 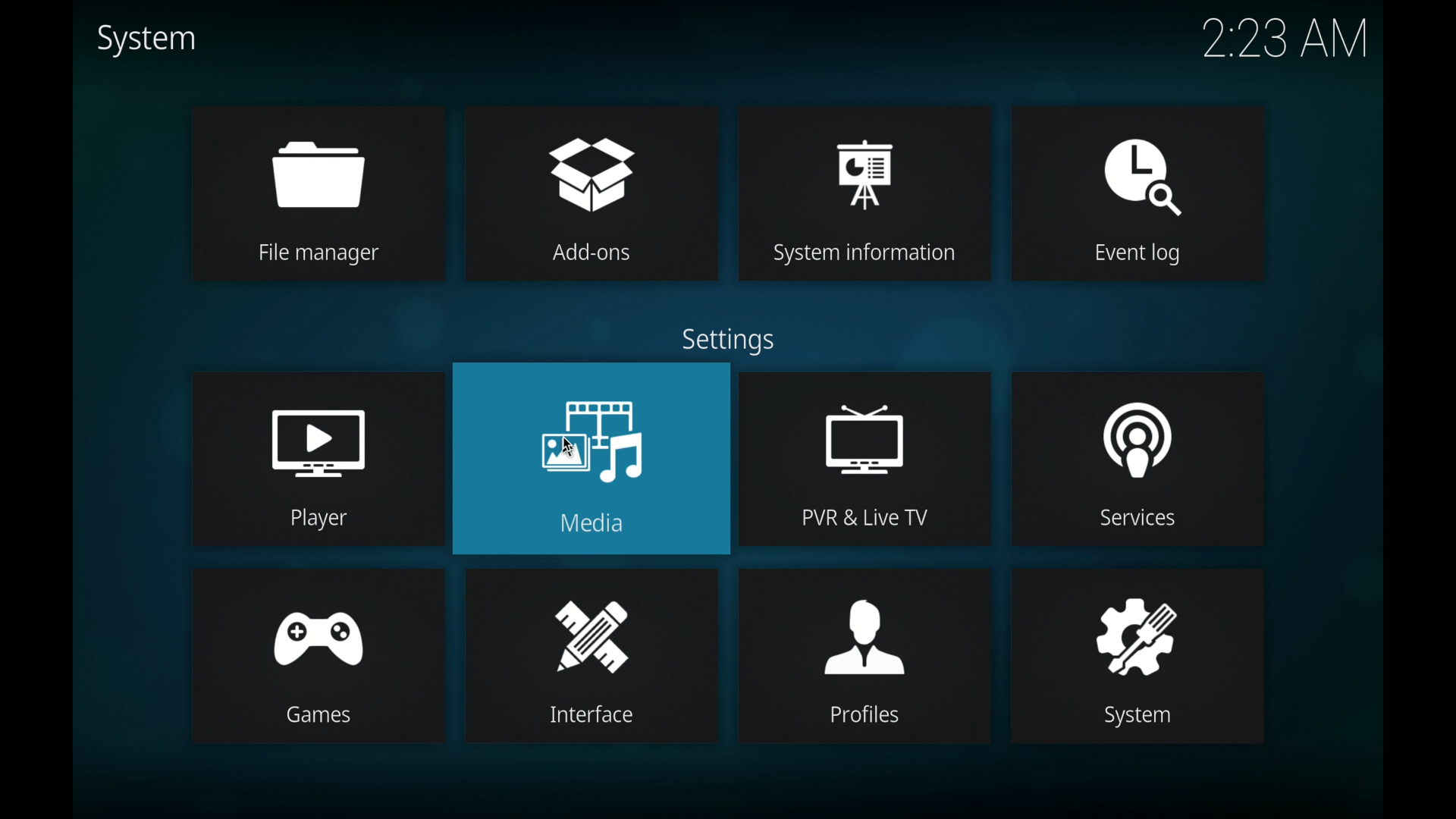 I want to click on media, so click(x=586, y=426).